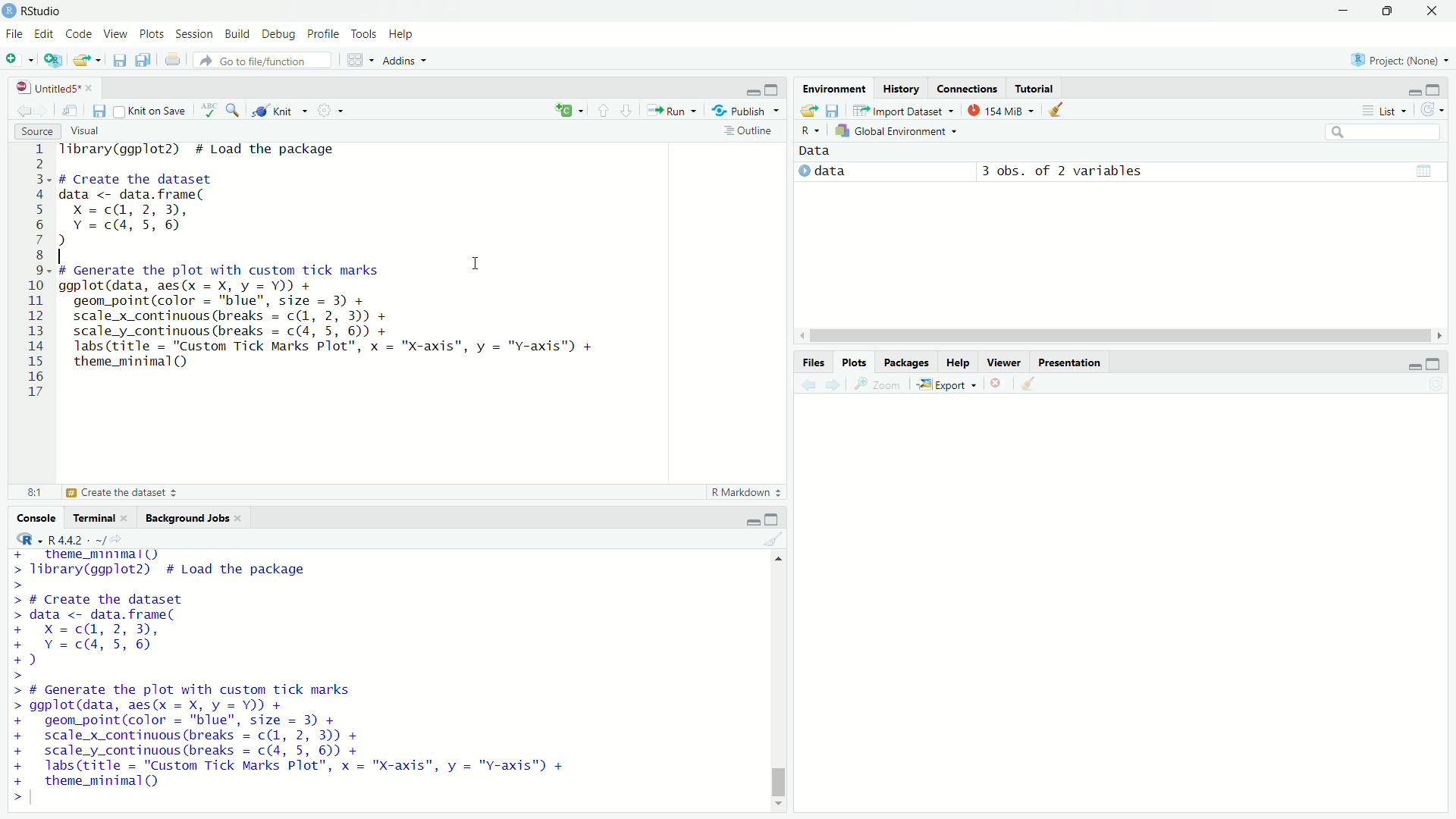 The height and width of the screenshot is (819, 1456). I want to click on clear objects from the workspace, so click(1063, 111).